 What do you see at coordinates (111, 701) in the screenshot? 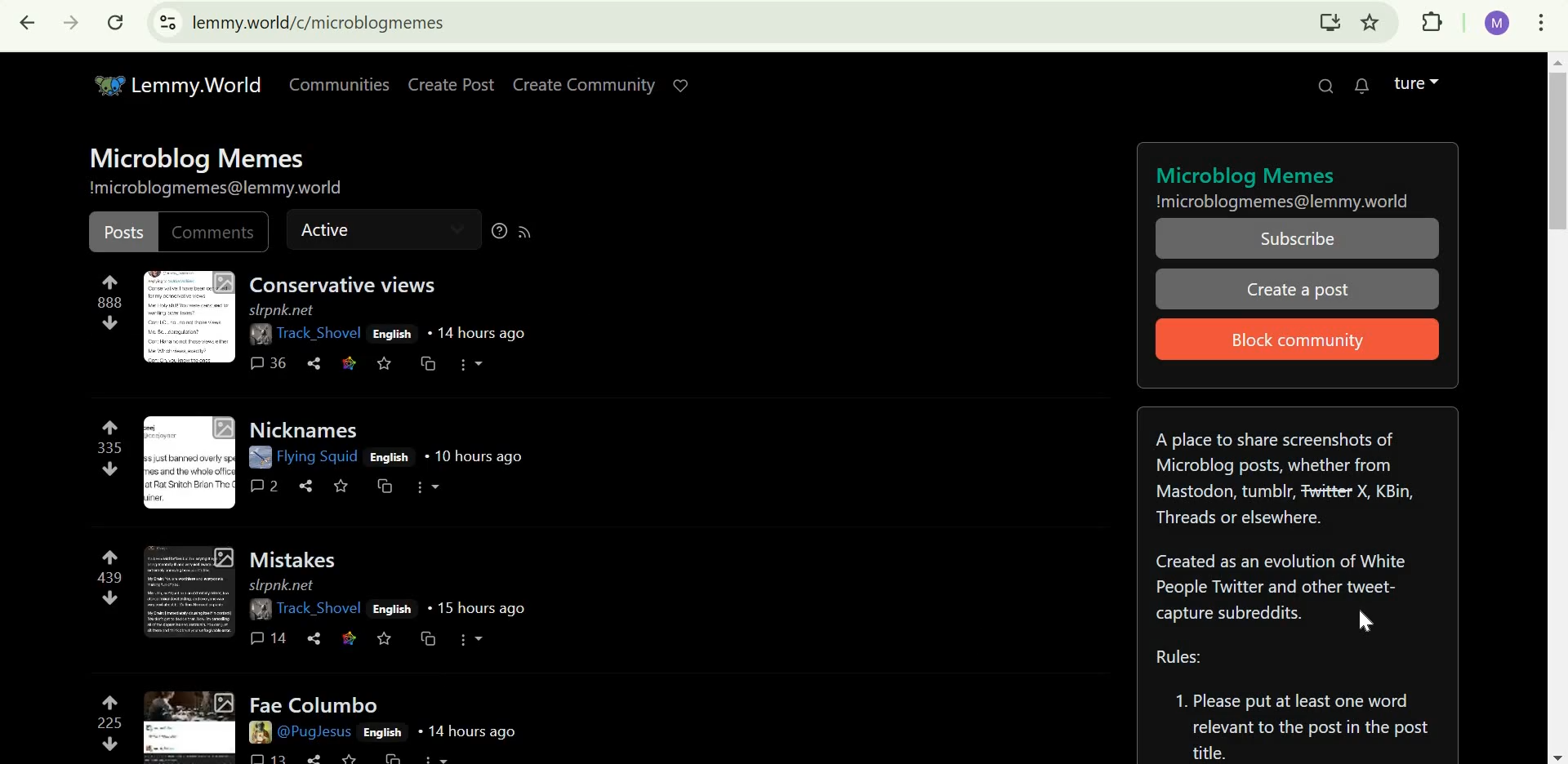
I see `upvote` at bounding box center [111, 701].